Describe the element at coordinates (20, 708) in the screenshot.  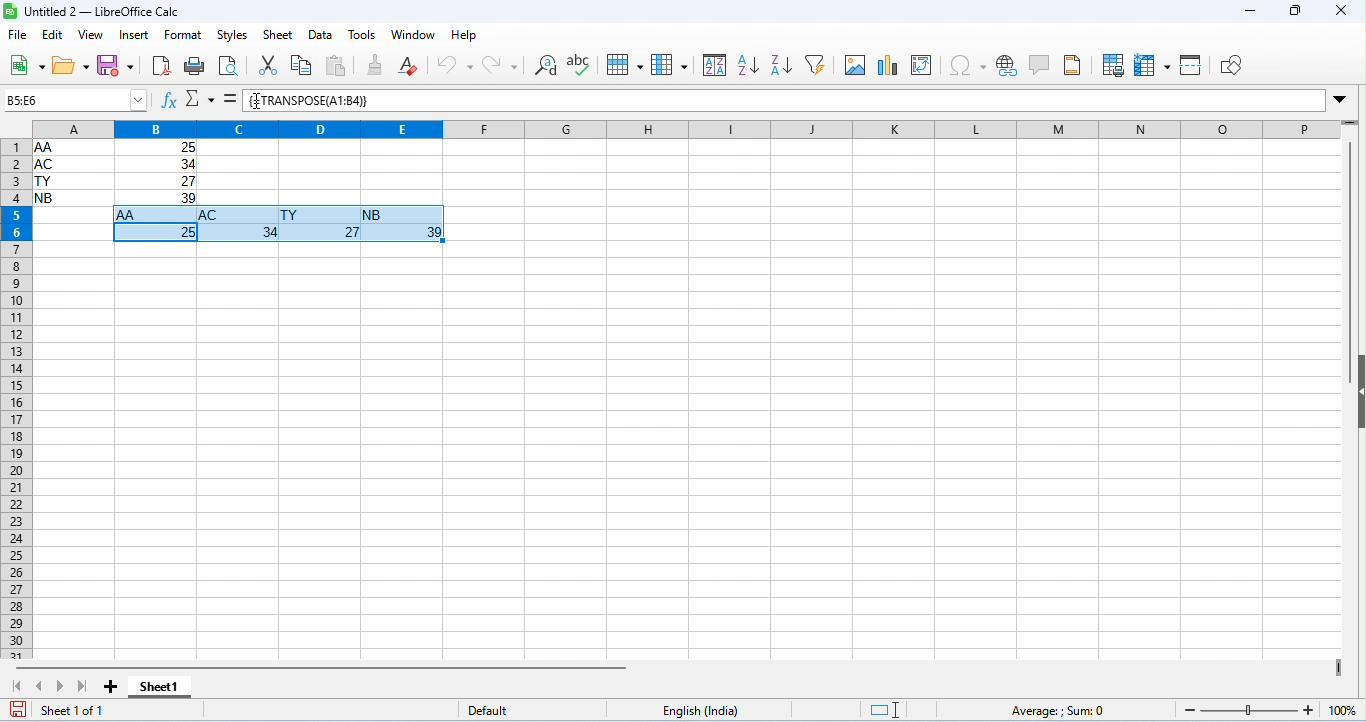
I see `save` at that location.